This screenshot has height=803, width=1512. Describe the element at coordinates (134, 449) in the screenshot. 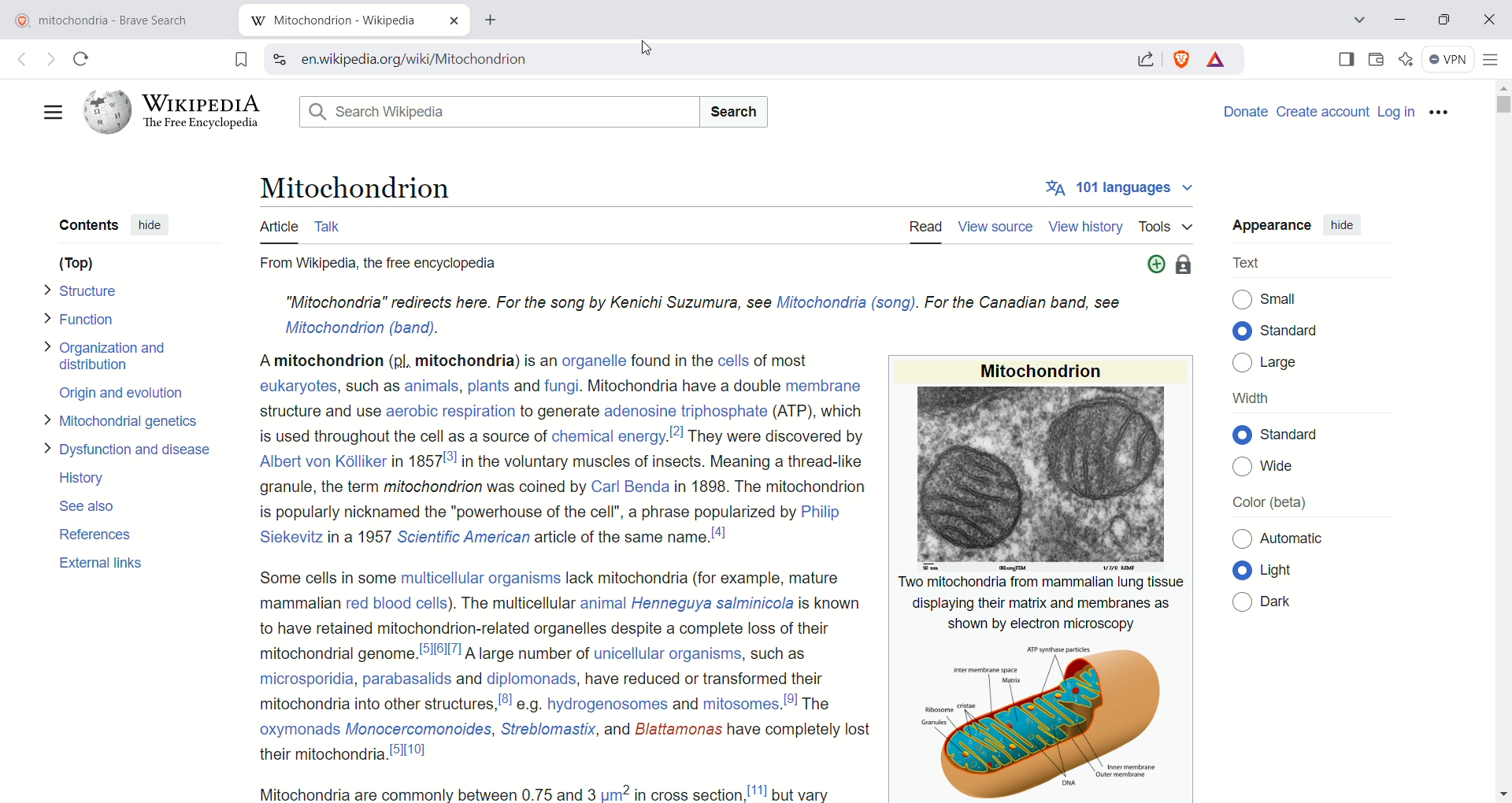

I see `> Dysfunction and disease` at that location.